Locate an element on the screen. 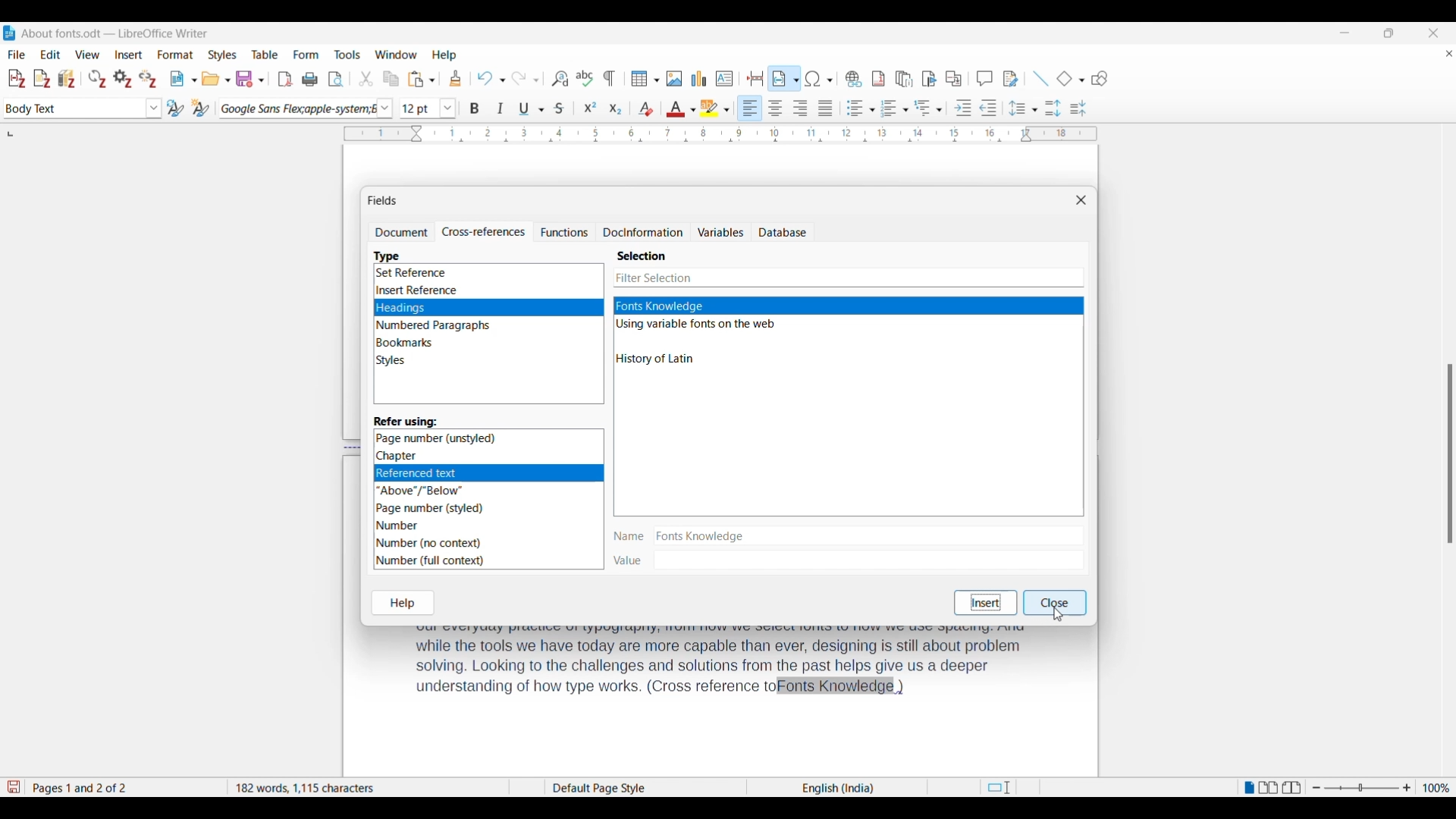 The image size is (1456, 819). Toggle print preview is located at coordinates (337, 80).